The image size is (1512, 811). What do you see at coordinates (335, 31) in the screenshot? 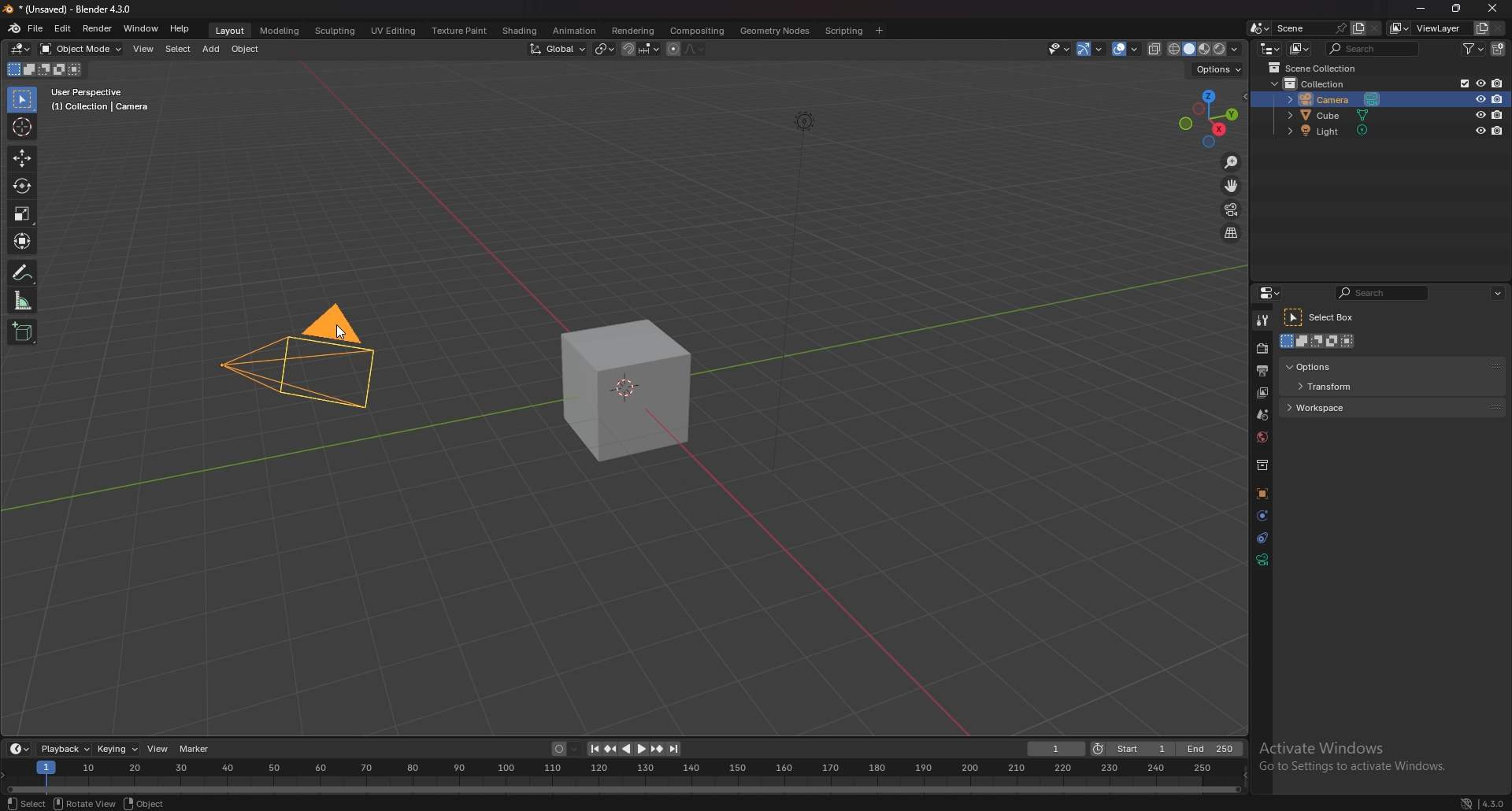
I see `sculpting` at bounding box center [335, 31].